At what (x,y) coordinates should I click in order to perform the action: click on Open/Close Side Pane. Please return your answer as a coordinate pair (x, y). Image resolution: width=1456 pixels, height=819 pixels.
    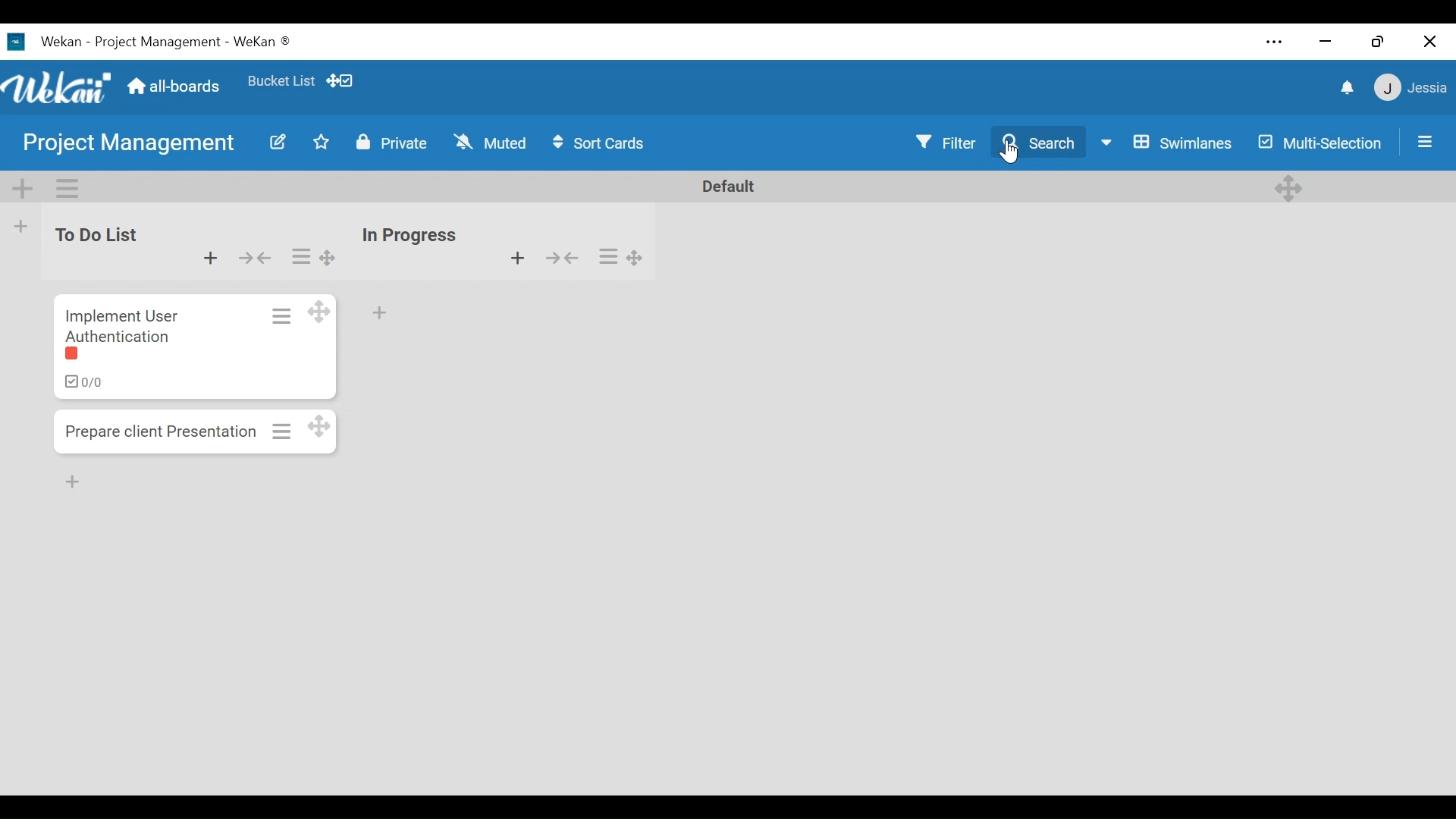
    Looking at the image, I should click on (1423, 143).